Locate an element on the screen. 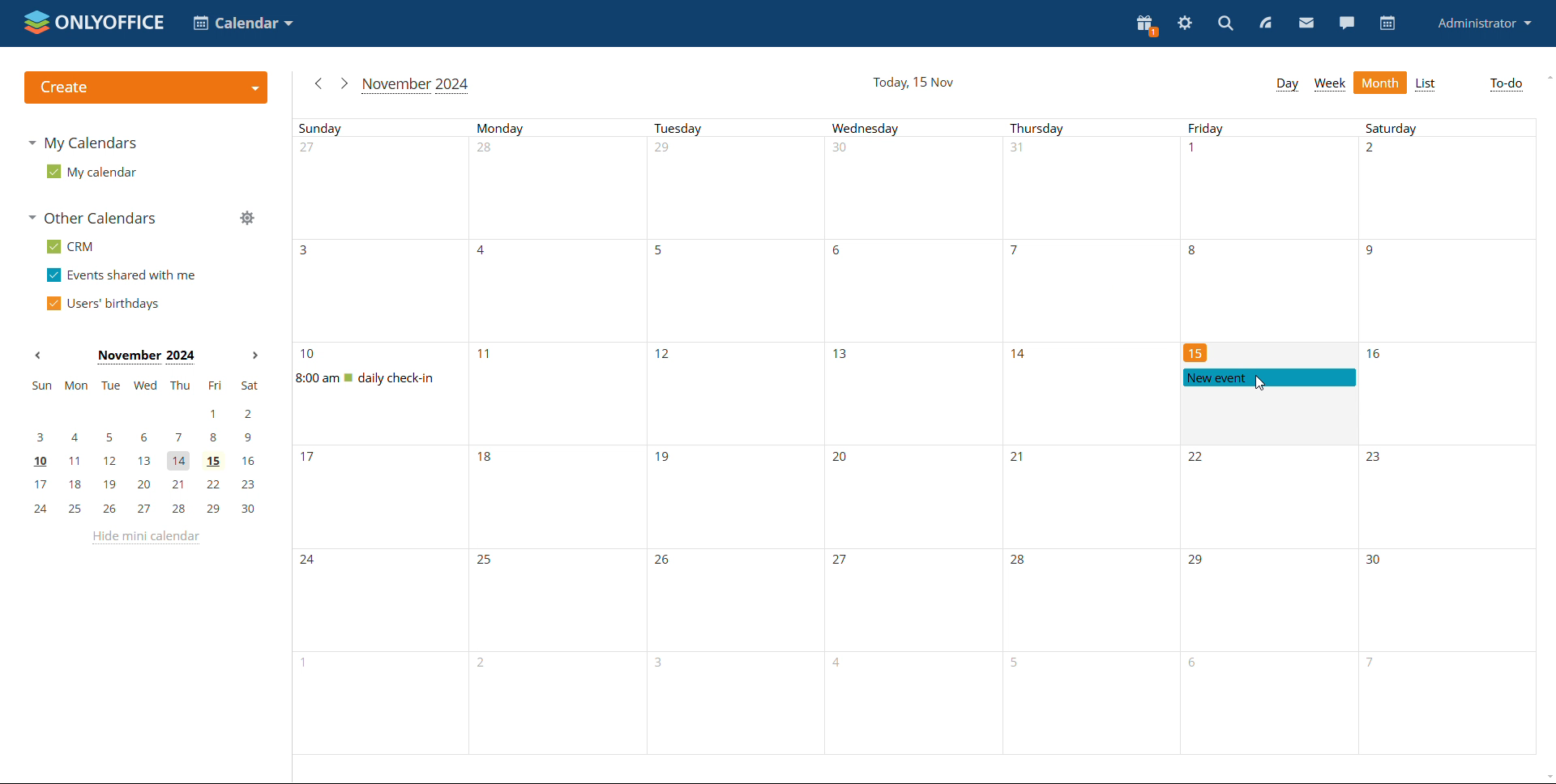 Image resolution: width=1556 pixels, height=784 pixels. current month is located at coordinates (143, 357).